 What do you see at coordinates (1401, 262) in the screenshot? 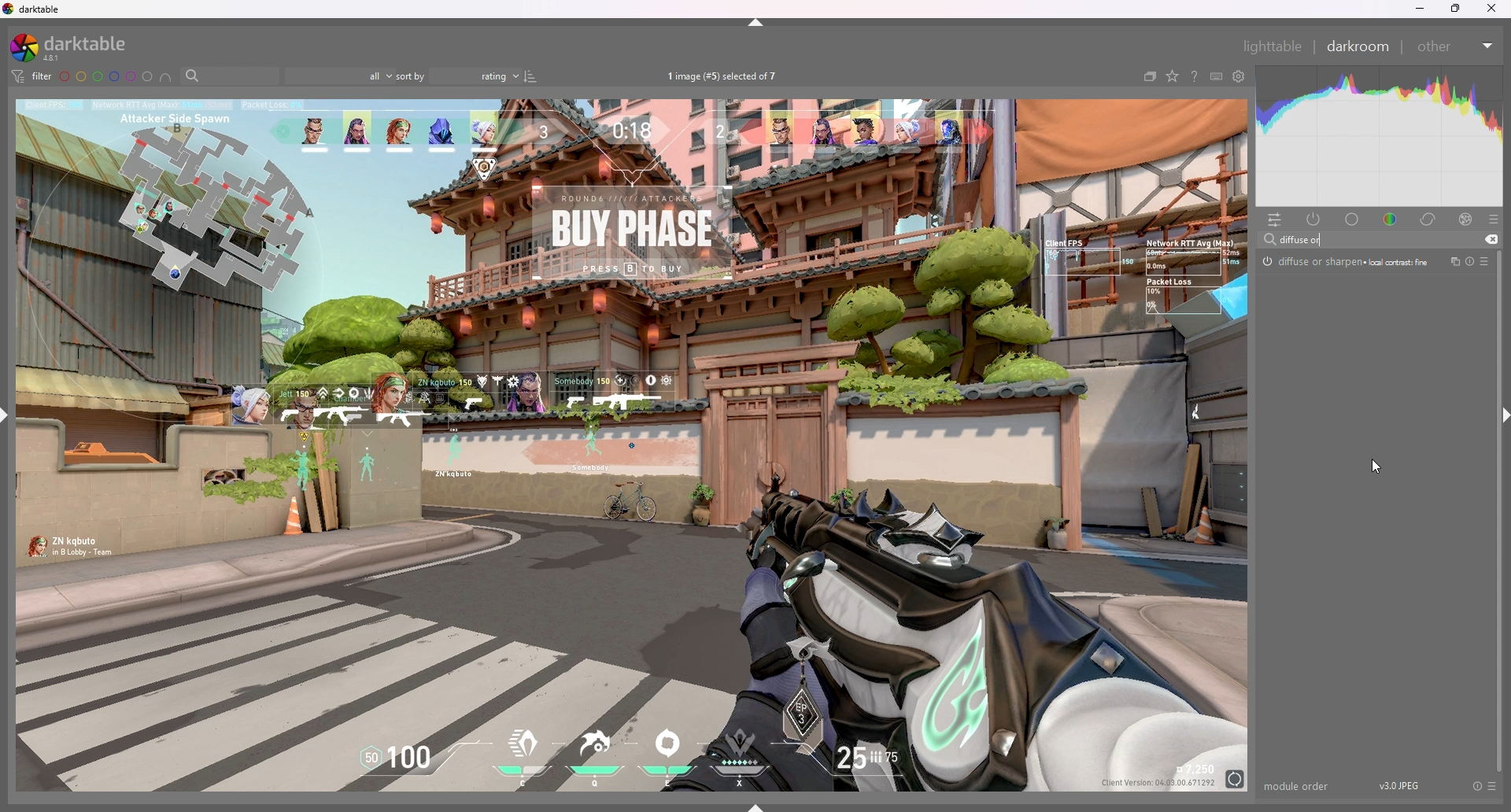
I see `local contrast fine` at bounding box center [1401, 262].